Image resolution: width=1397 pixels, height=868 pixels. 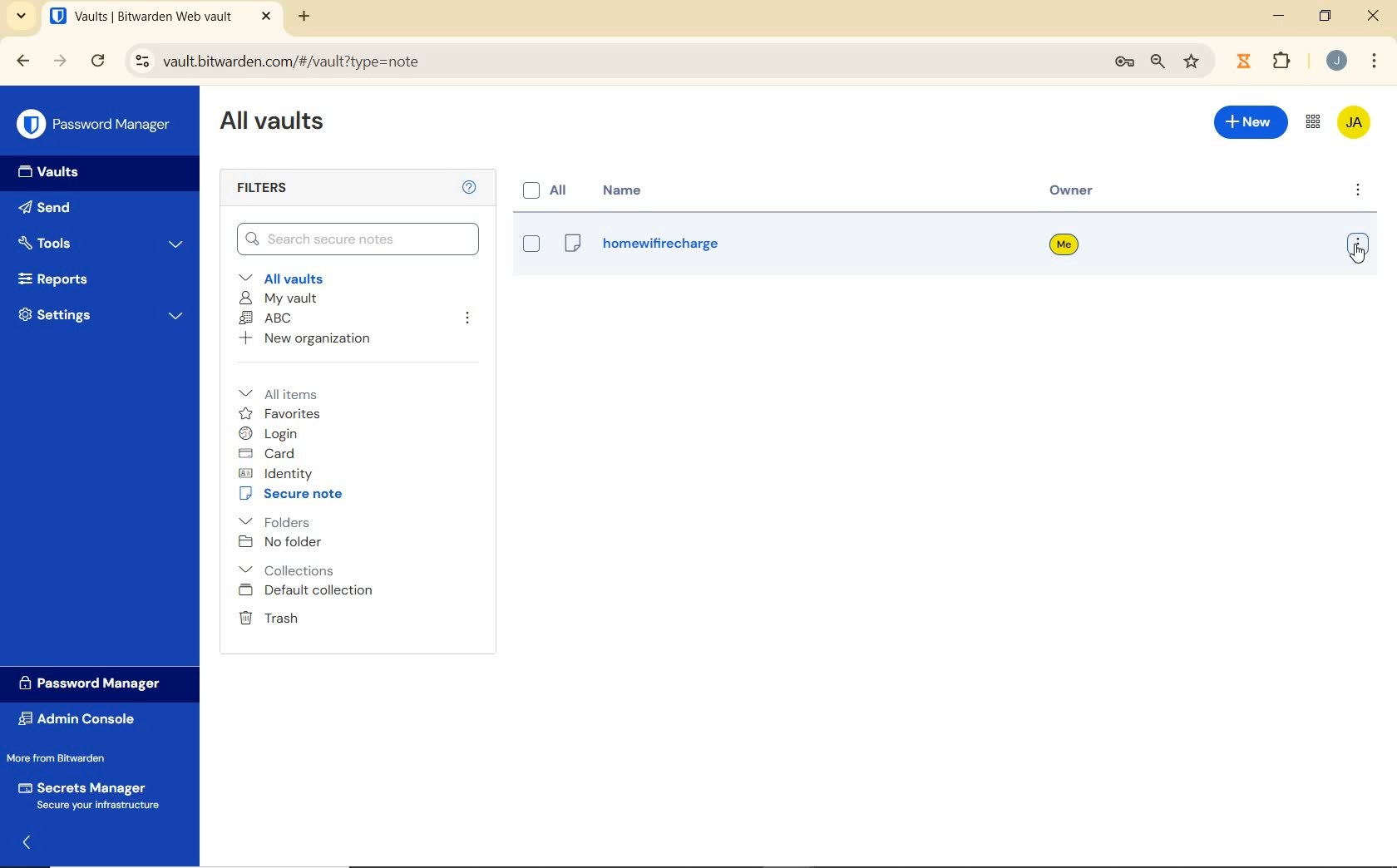 I want to click on extensions, so click(x=1242, y=62).